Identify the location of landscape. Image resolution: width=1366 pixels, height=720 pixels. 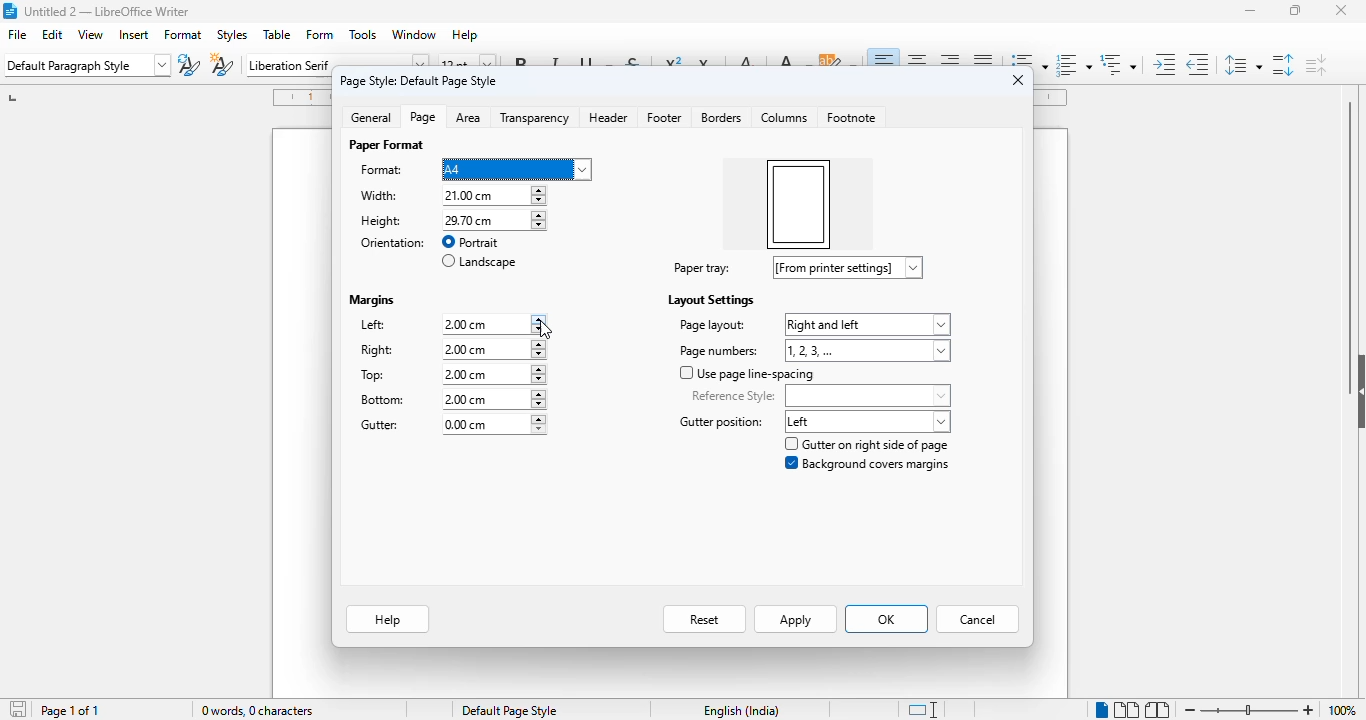
(480, 261).